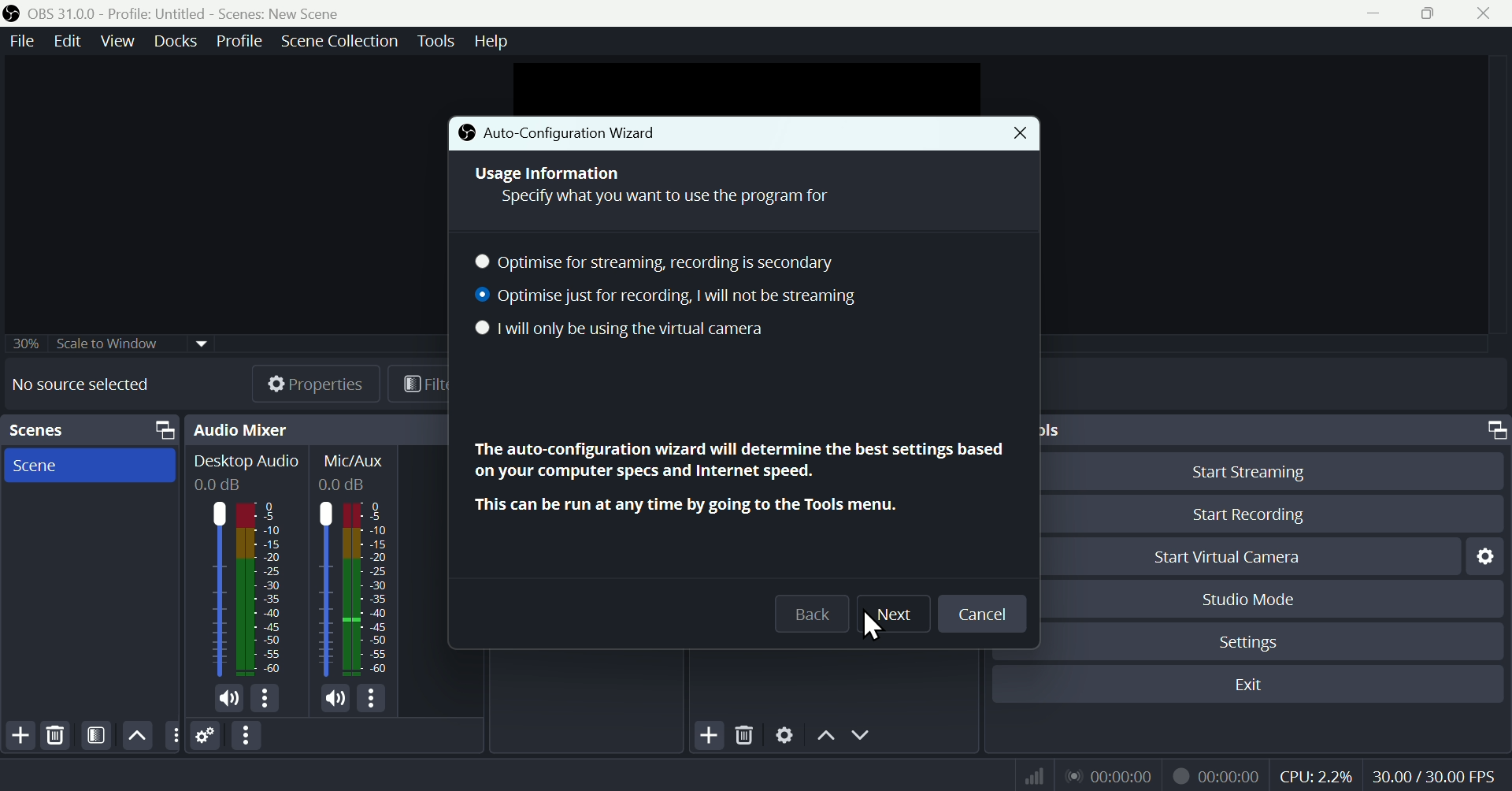 The height and width of the screenshot is (791, 1512). What do you see at coordinates (864, 734) in the screenshot?
I see `Down` at bounding box center [864, 734].